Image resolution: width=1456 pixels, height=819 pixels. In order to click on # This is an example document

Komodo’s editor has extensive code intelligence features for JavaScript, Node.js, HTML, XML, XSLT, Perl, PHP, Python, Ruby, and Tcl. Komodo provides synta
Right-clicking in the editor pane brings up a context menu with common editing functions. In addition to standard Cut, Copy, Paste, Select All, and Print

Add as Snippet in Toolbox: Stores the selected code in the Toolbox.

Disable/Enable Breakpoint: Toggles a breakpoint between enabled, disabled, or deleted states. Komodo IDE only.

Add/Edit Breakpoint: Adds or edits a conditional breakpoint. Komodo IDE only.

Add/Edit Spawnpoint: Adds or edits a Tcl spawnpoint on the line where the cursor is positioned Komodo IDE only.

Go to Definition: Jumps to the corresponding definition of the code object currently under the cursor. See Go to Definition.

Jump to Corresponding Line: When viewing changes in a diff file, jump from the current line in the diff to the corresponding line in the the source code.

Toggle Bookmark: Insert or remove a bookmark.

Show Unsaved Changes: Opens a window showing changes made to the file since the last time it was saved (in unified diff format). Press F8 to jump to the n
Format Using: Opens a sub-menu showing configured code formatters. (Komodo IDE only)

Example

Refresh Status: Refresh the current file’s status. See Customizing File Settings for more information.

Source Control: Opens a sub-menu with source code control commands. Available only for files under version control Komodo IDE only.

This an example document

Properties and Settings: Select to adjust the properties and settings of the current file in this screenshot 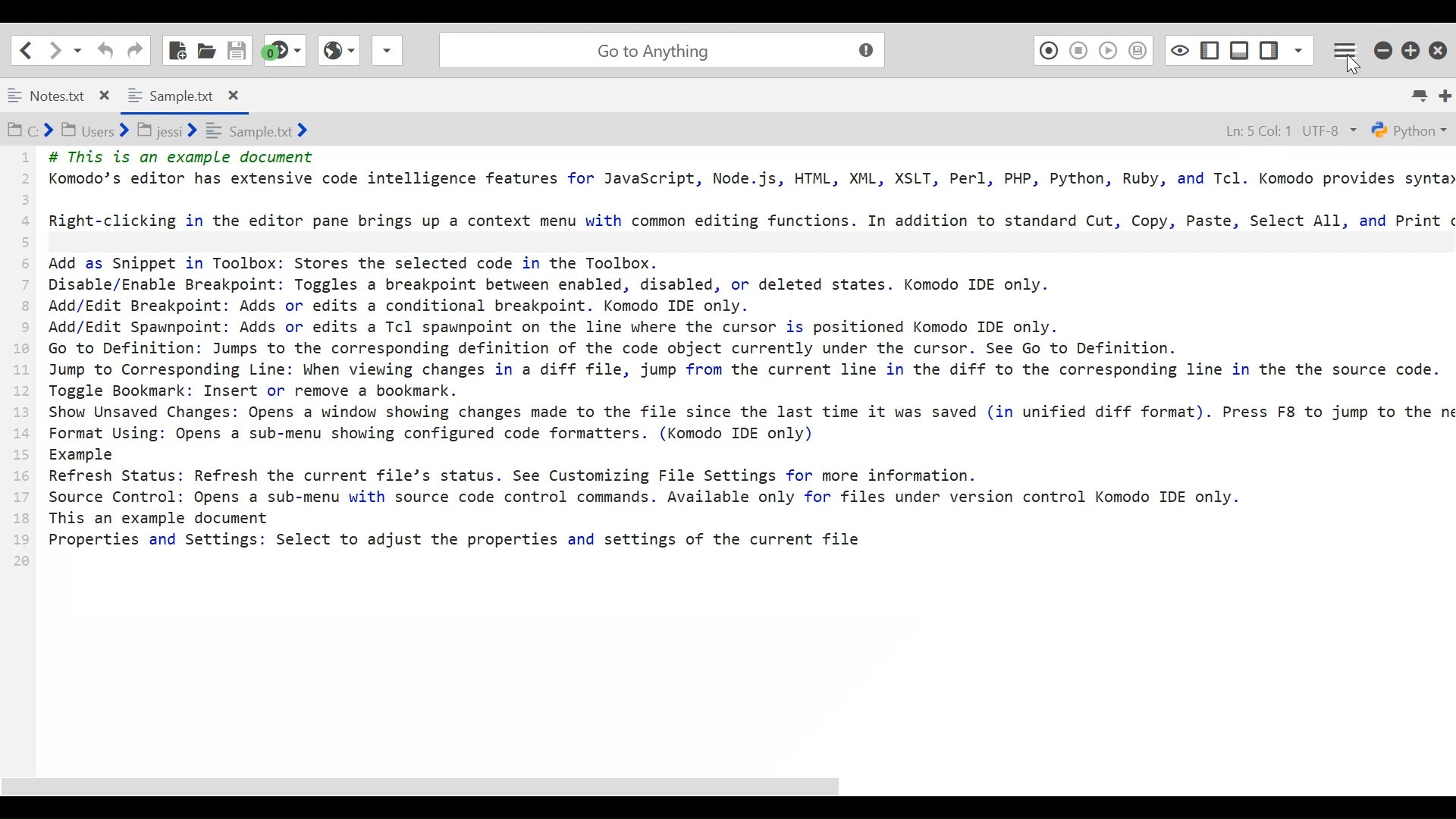, I will do `click(746, 360)`.